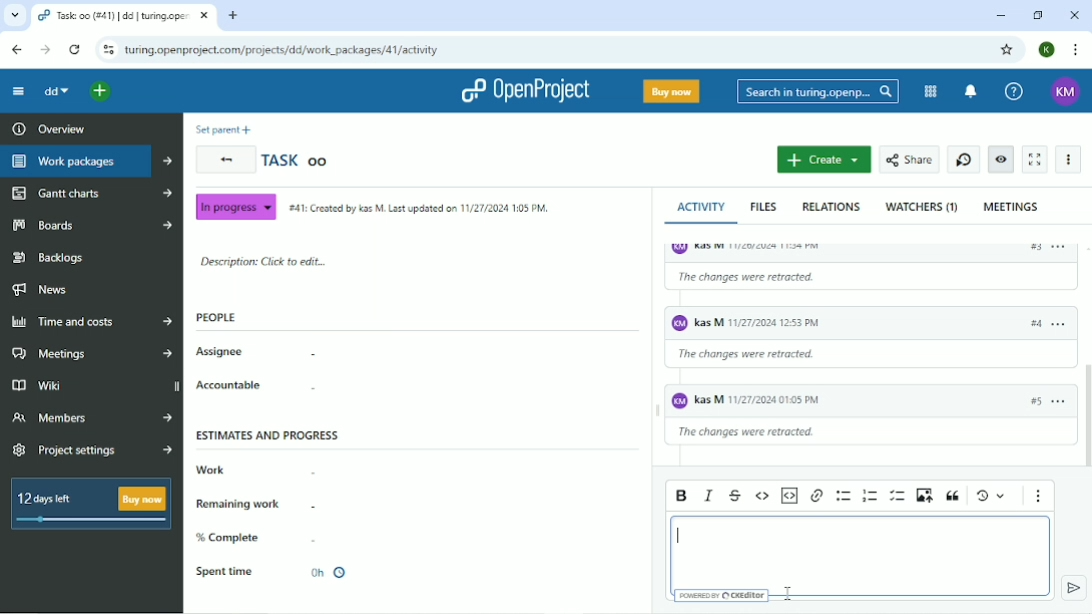  Describe the element at coordinates (1085, 435) in the screenshot. I see `Vertical scrollbar` at that location.